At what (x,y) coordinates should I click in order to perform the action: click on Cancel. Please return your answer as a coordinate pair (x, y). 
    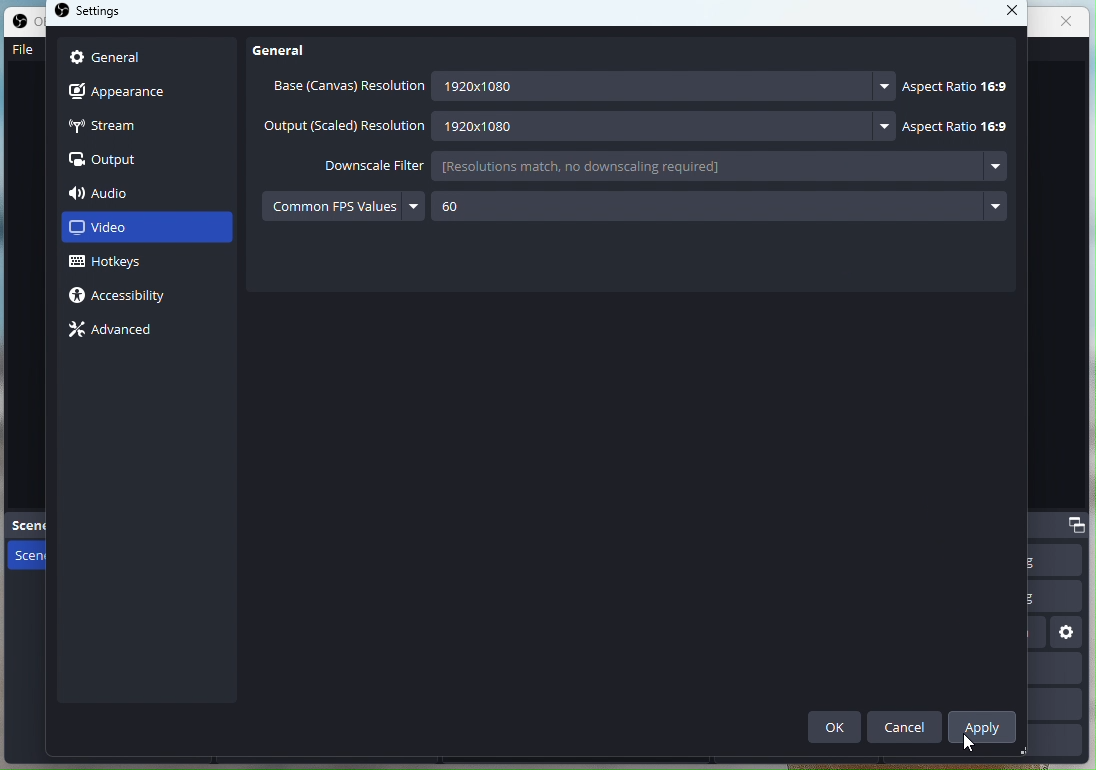
    Looking at the image, I should click on (906, 725).